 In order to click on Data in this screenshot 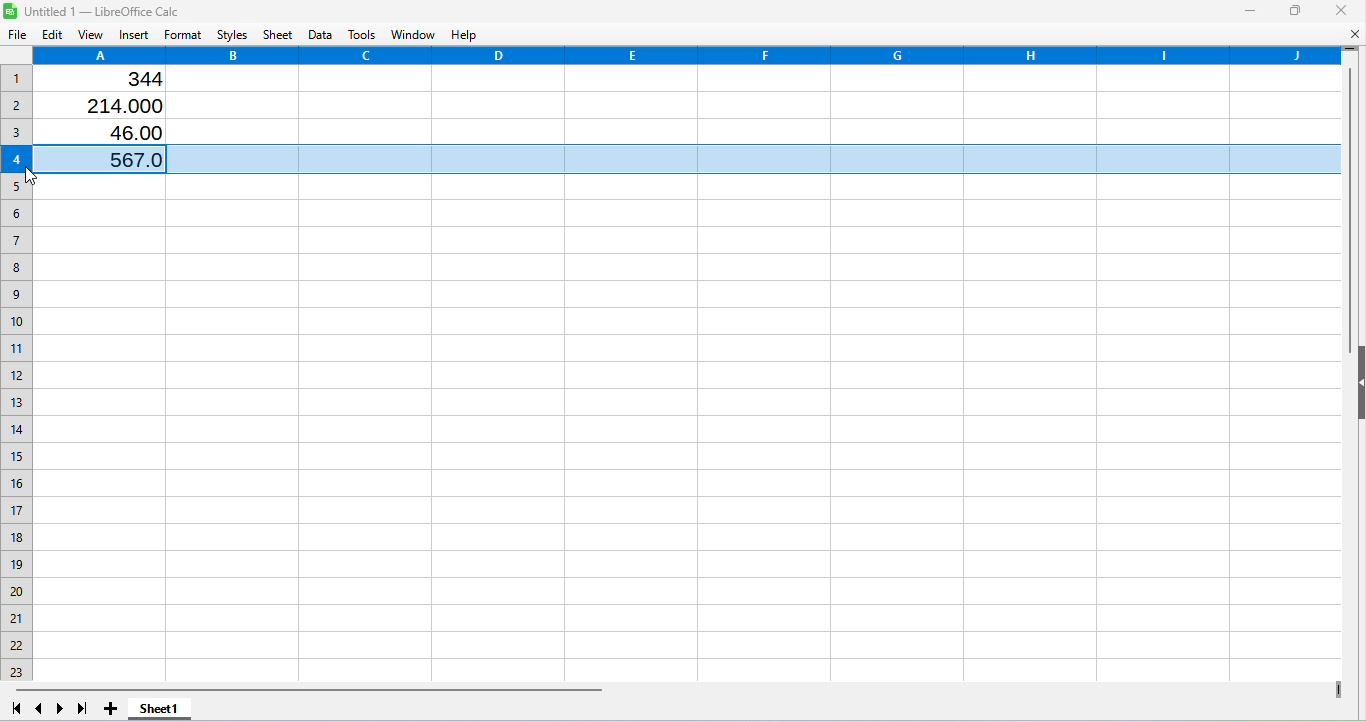, I will do `click(322, 34)`.